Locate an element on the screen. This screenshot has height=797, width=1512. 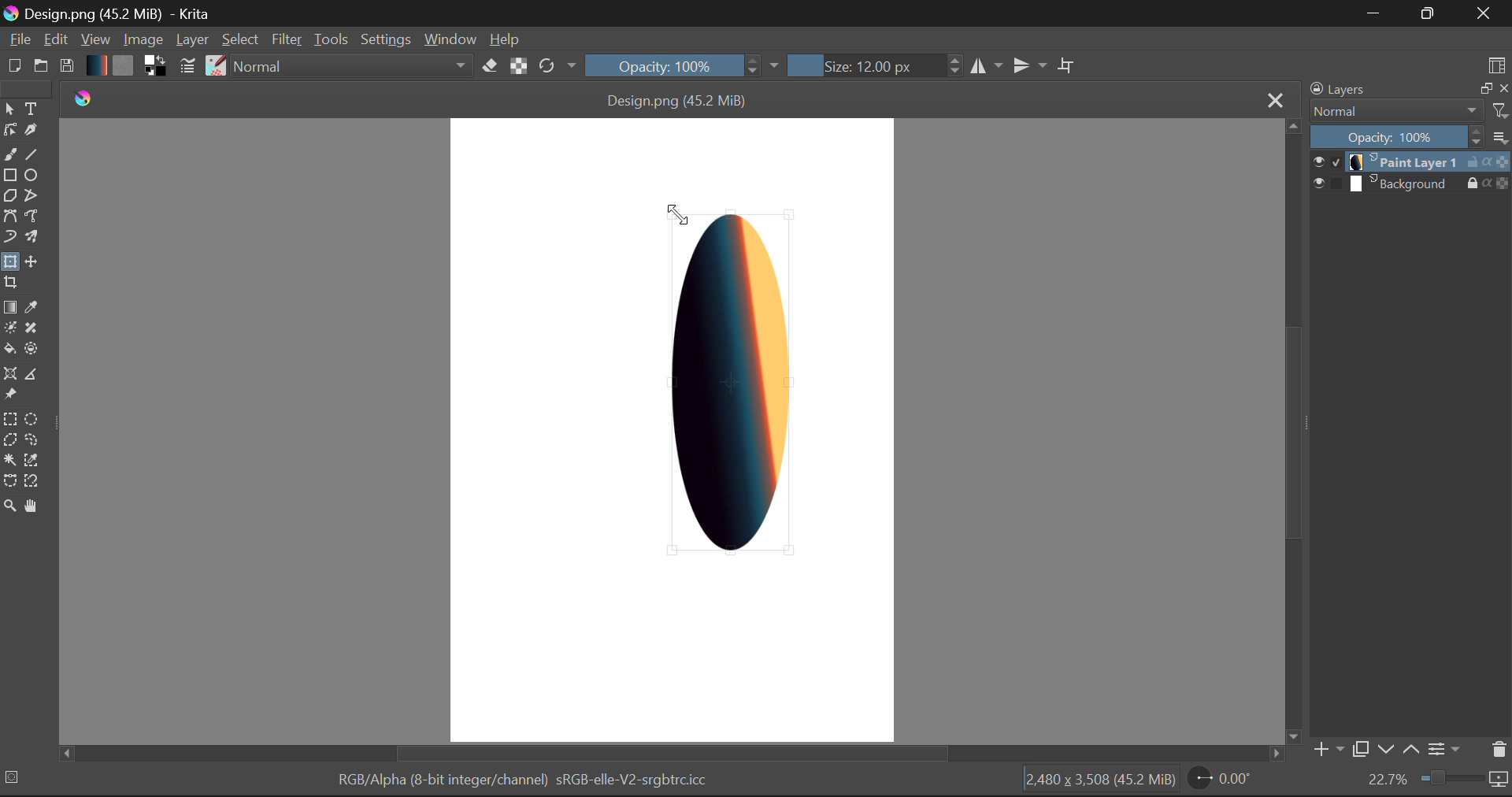
Colorize Mask Tool is located at coordinates (9, 328).